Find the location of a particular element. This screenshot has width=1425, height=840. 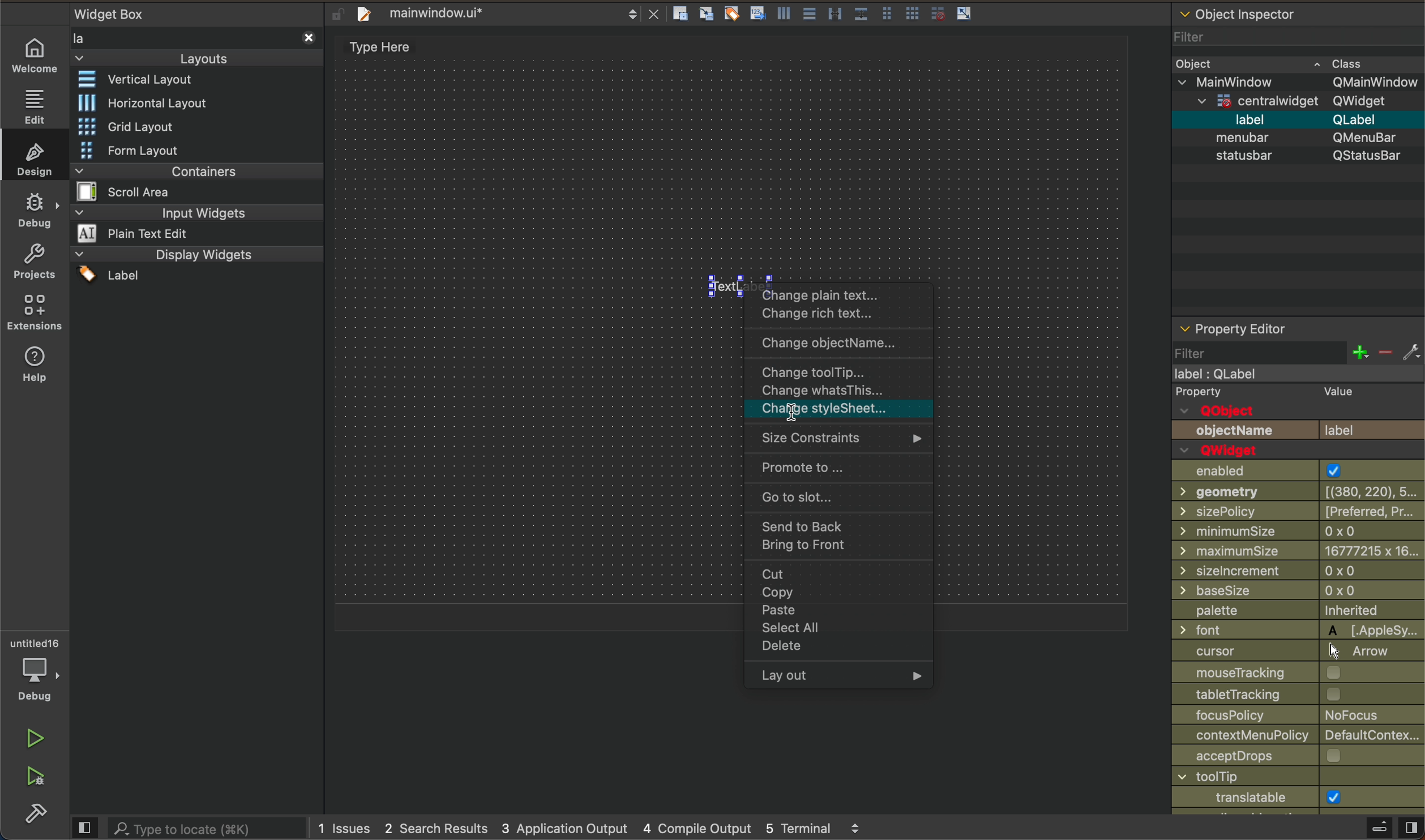

change text is located at coordinates (838, 293).